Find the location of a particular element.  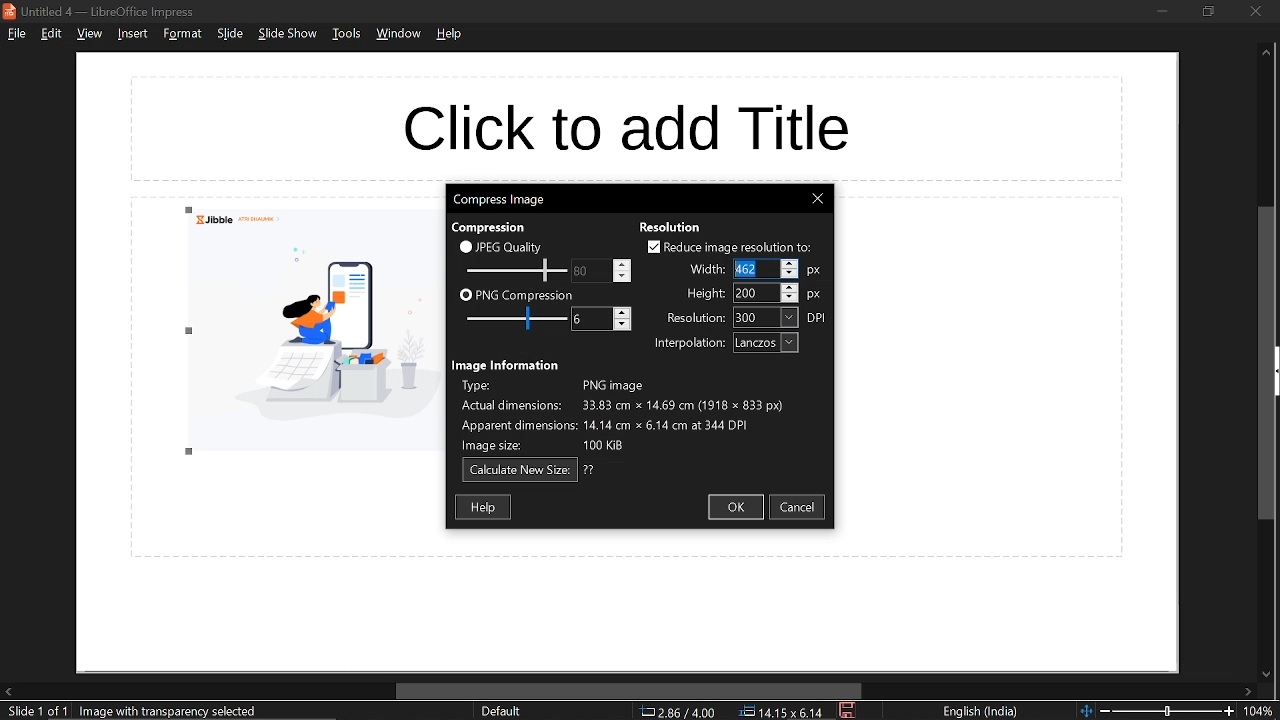

space for title is located at coordinates (629, 127).